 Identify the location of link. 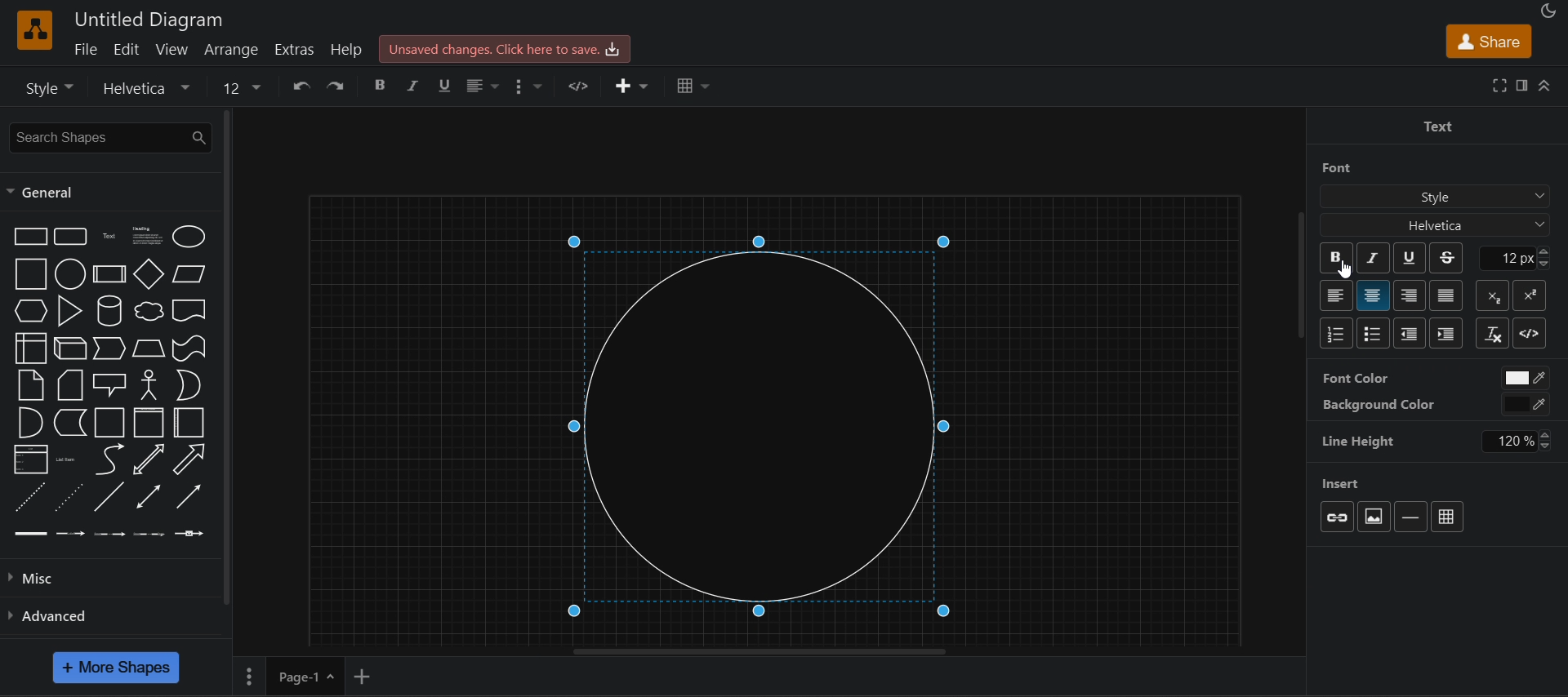
(1338, 517).